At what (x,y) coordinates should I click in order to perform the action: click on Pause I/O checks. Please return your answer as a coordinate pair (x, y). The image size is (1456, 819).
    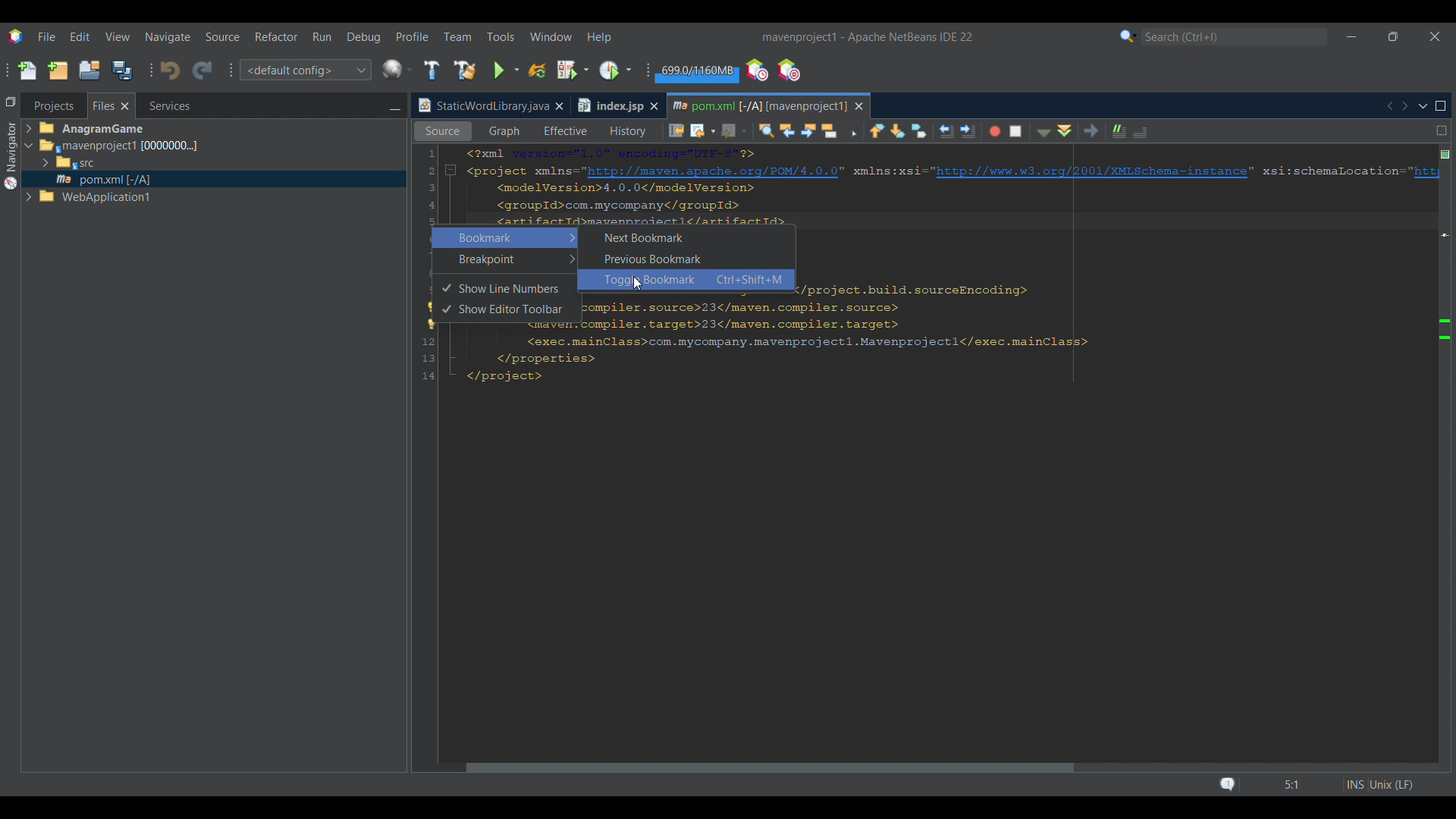
    Looking at the image, I should click on (788, 70).